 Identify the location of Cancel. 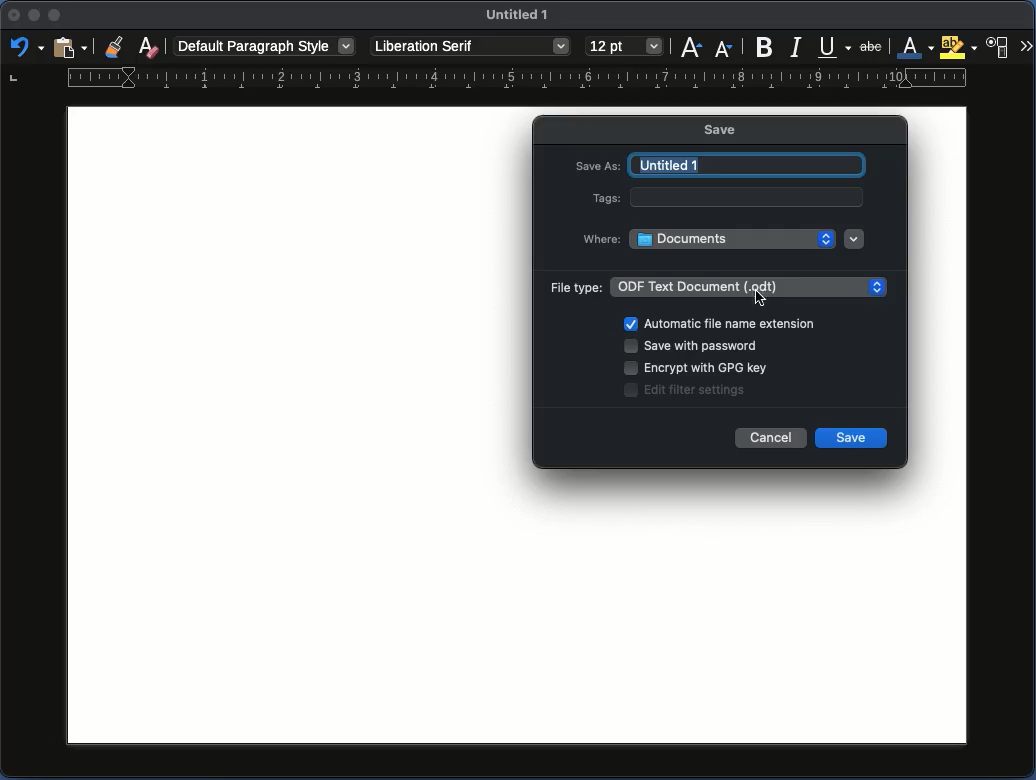
(772, 437).